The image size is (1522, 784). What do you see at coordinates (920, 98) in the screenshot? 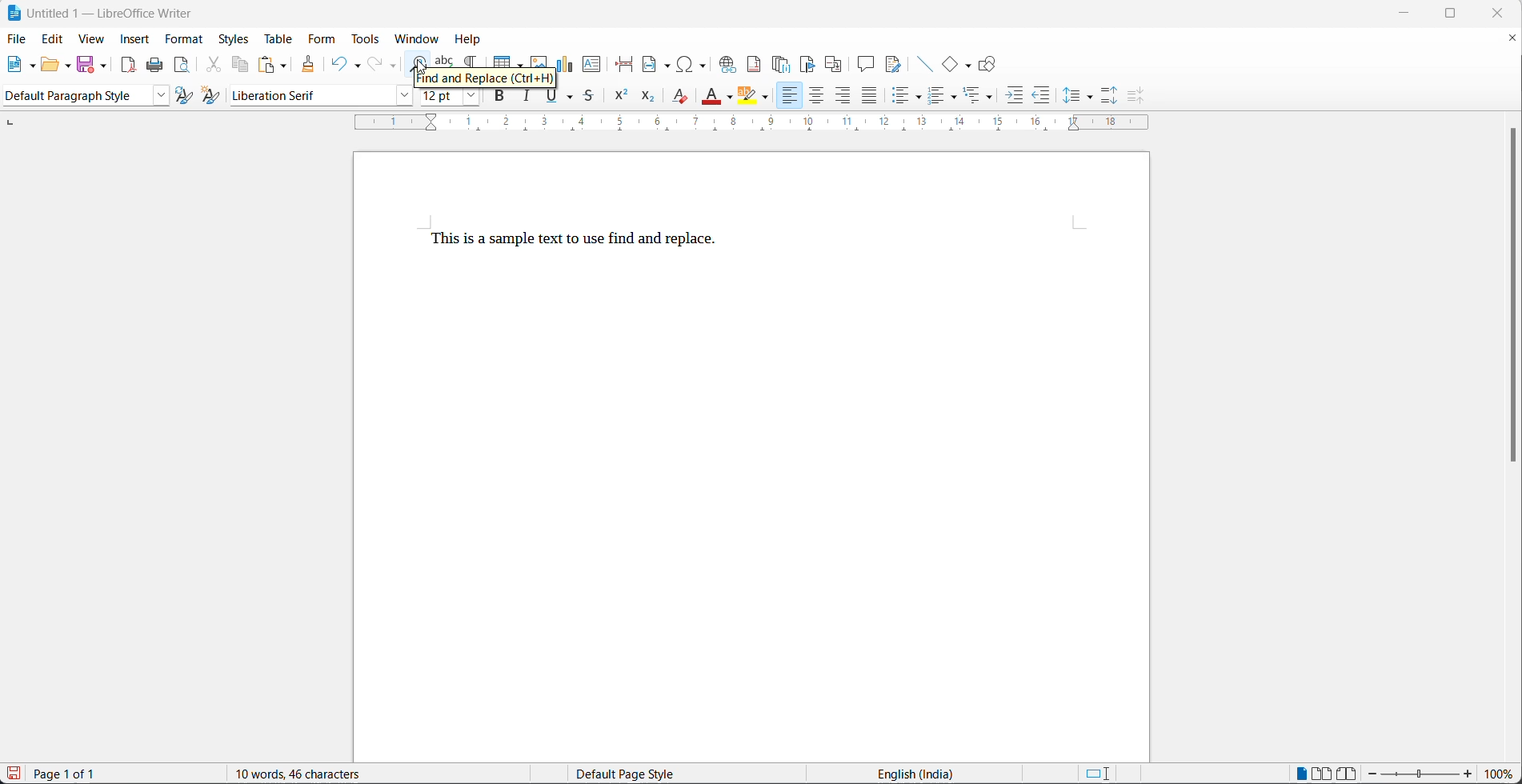
I see `toggle unordered list options` at bounding box center [920, 98].